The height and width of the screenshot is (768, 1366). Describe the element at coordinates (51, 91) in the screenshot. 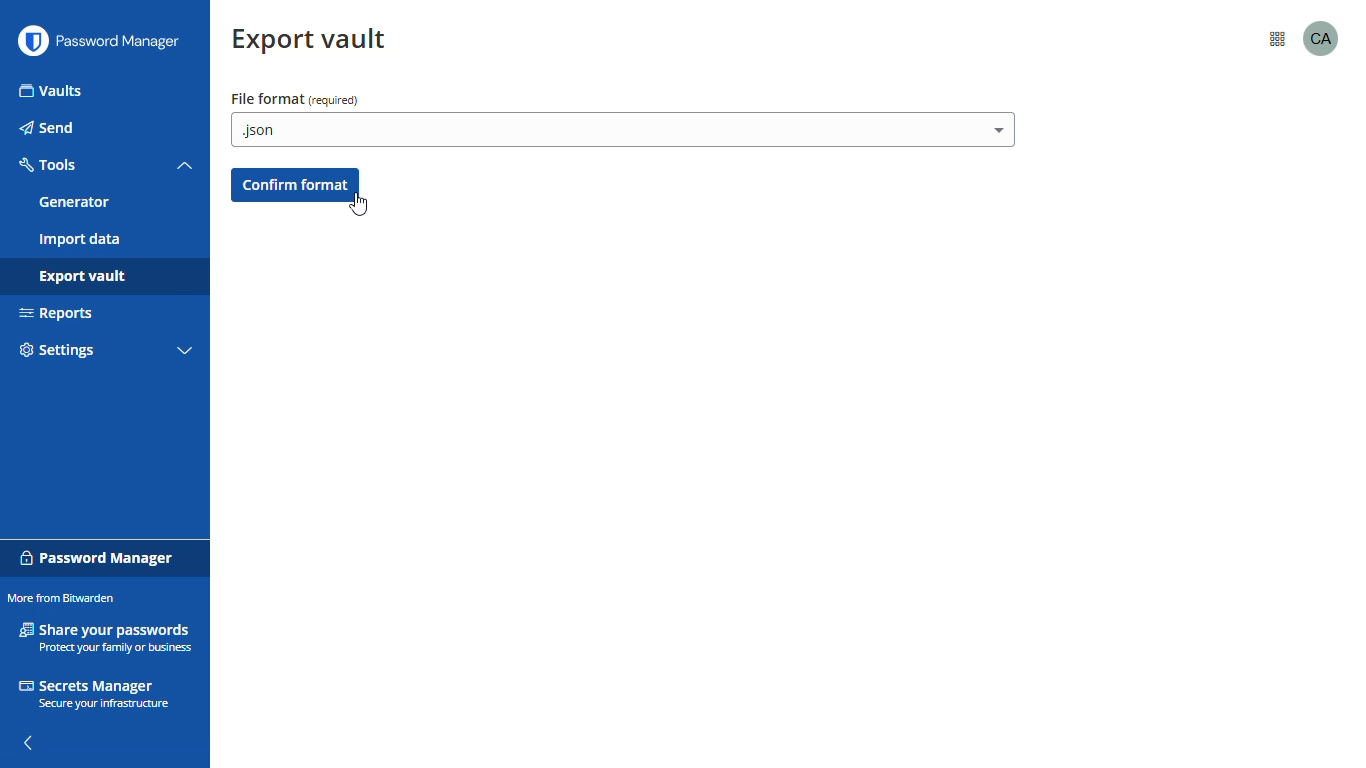

I see `vaults` at that location.